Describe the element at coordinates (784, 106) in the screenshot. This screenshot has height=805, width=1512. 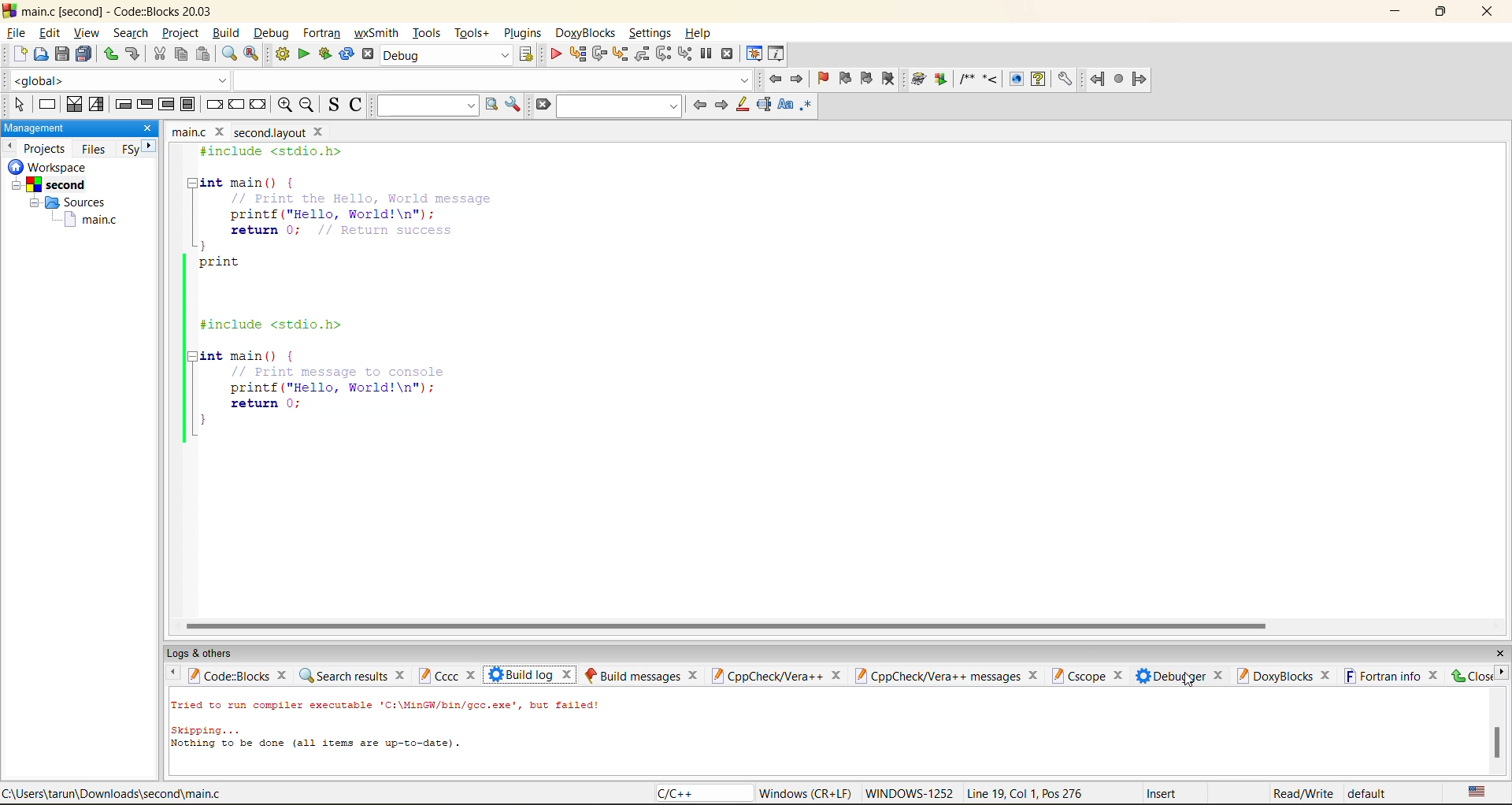
I see `match case` at that location.